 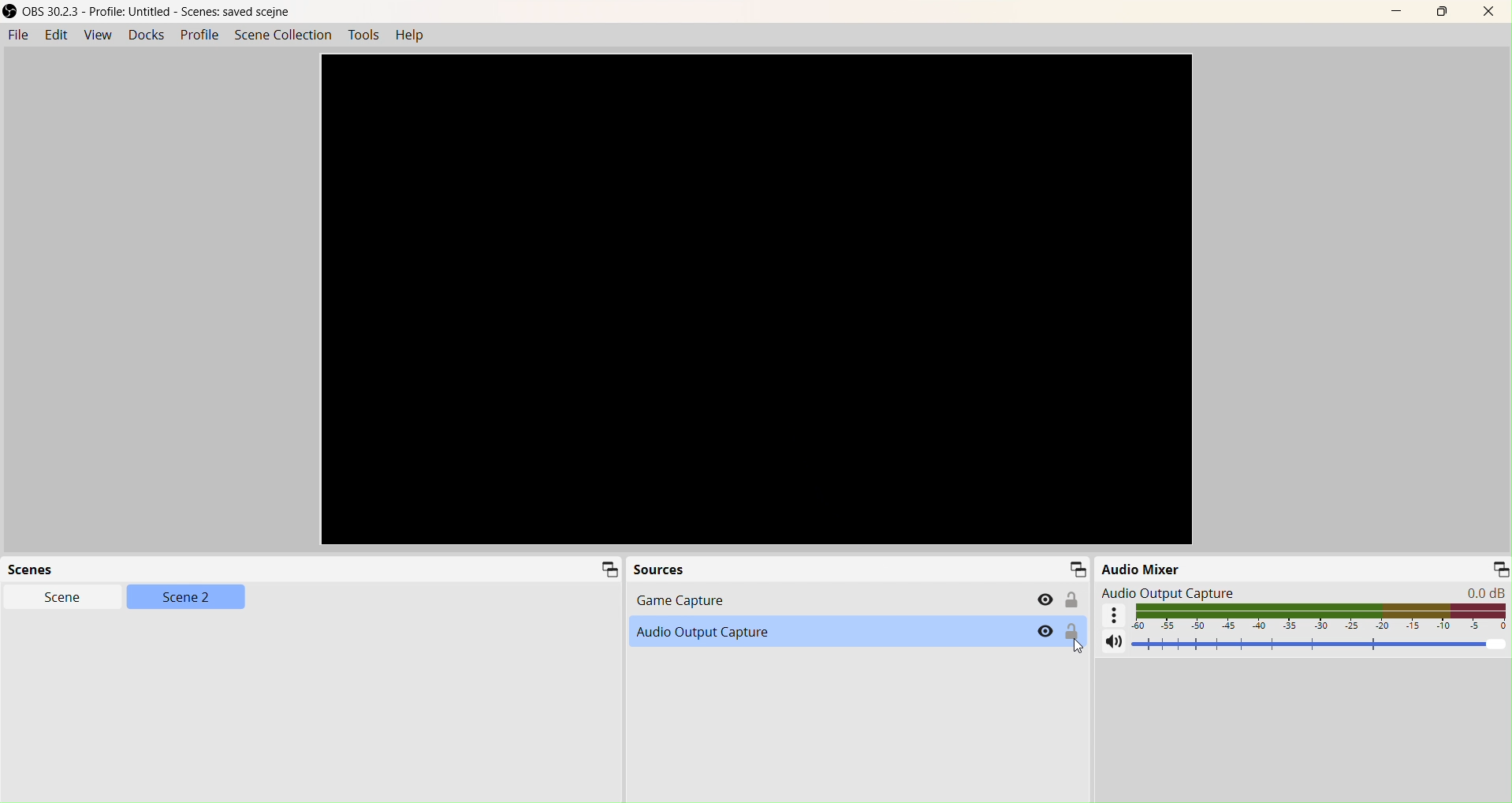 What do you see at coordinates (282, 36) in the screenshot?
I see `SceneCollection` at bounding box center [282, 36].